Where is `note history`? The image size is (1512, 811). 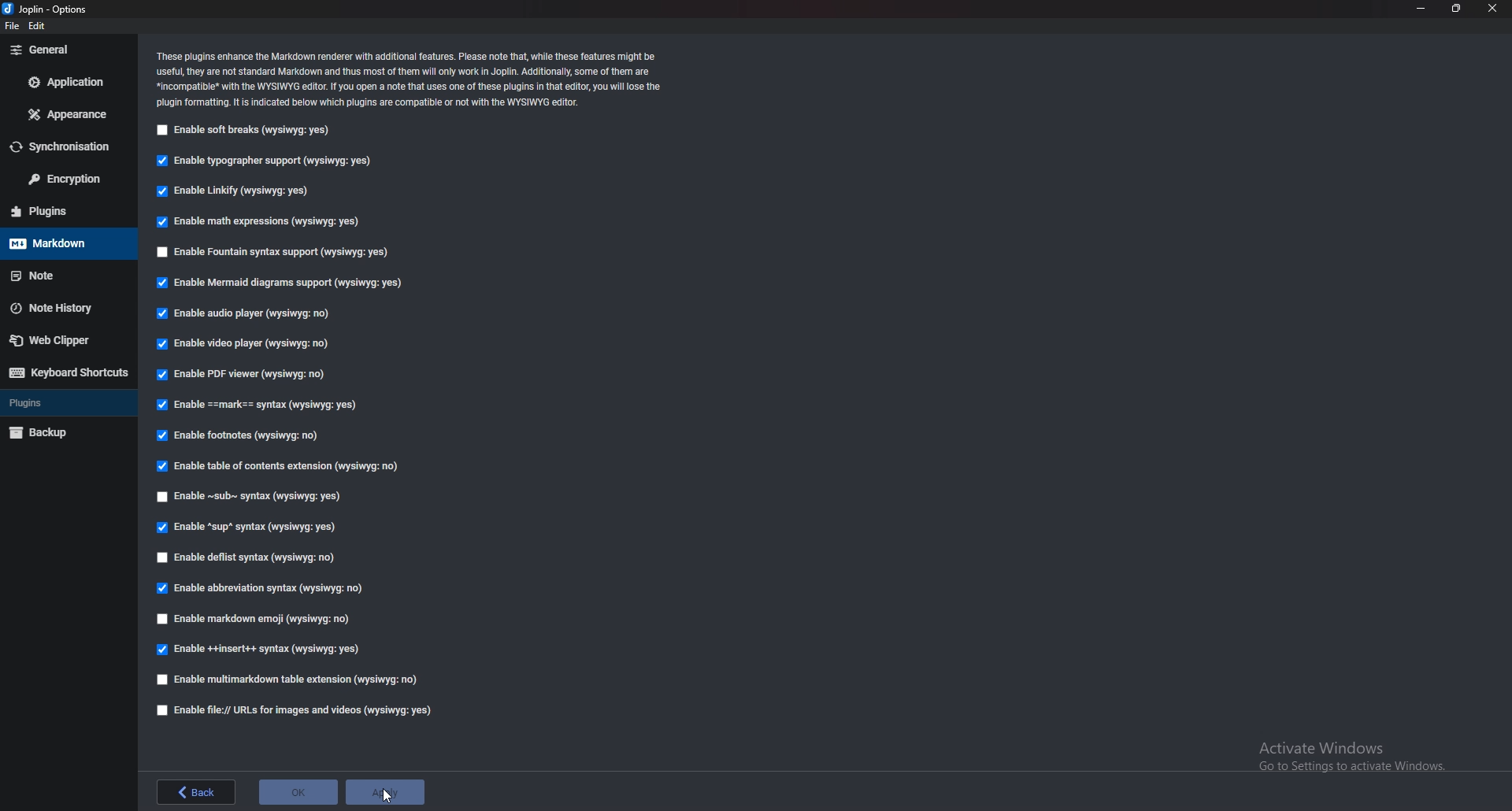 note history is located at coordinates (62, 308).